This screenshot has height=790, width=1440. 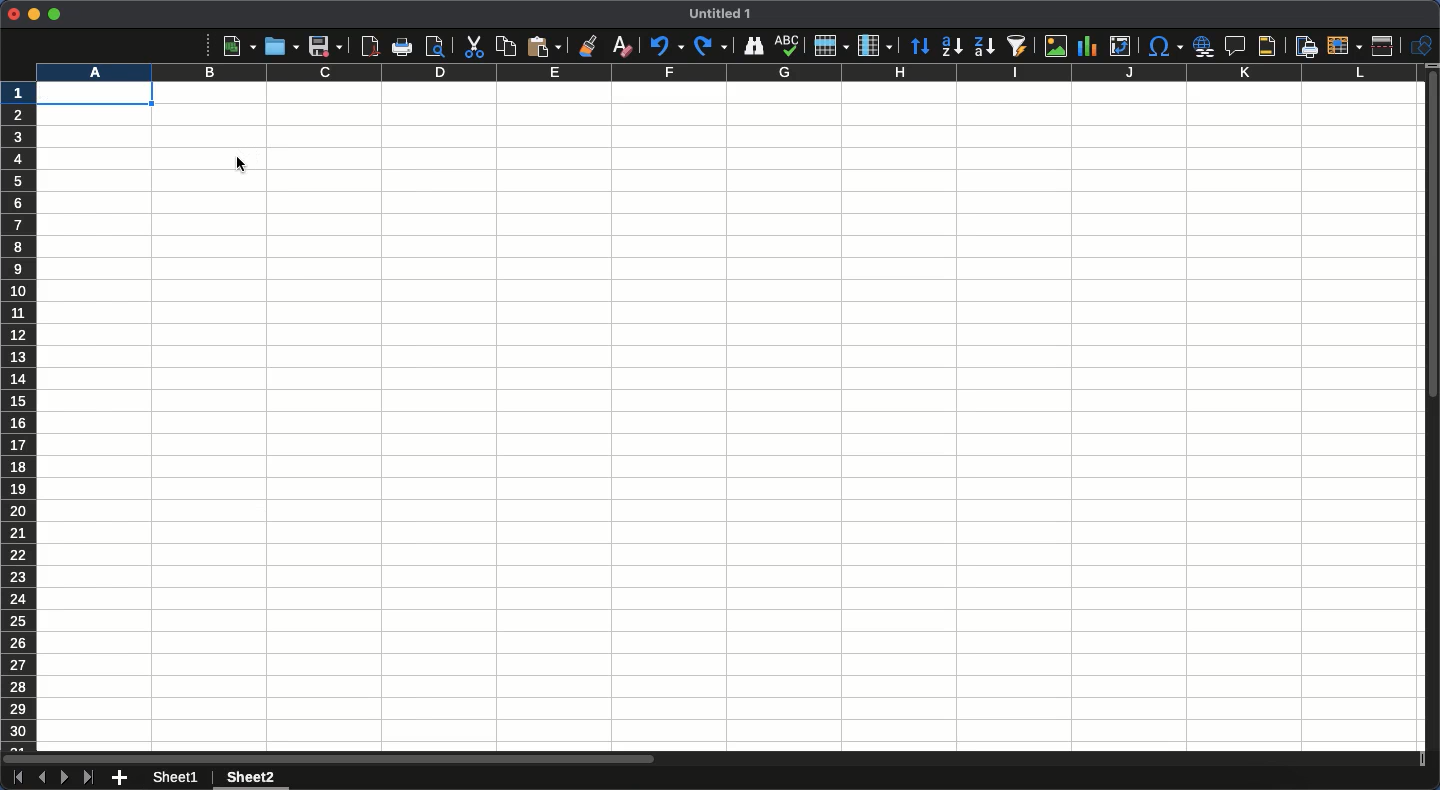 I want to click on Clone formatting, so click(x=589, y=46).